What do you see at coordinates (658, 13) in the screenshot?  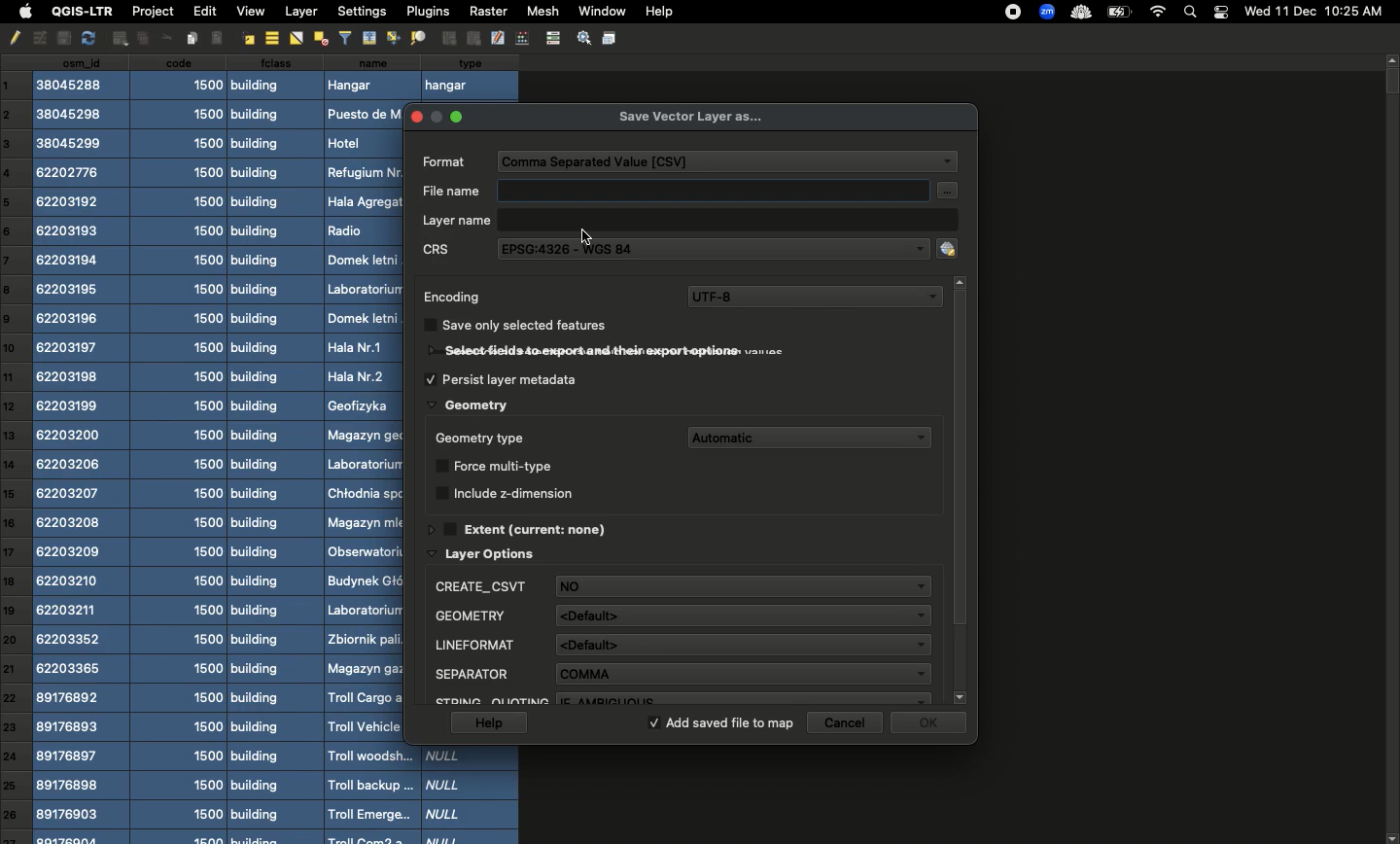 I see `Help` at bounding box center [658, 13].